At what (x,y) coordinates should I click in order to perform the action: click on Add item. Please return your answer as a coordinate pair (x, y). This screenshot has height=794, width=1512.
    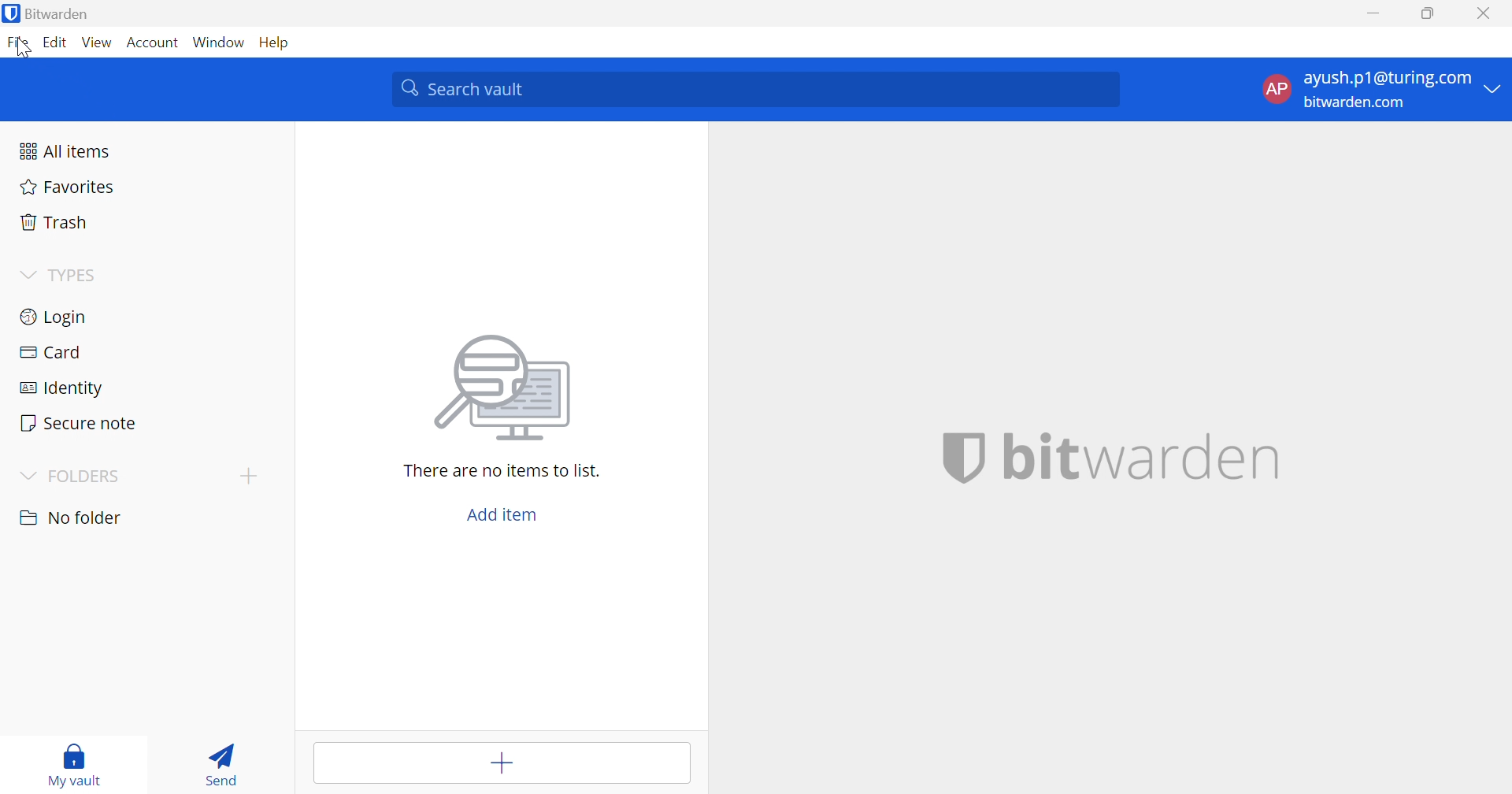
    Looking at the image, I should click on (502, 517).